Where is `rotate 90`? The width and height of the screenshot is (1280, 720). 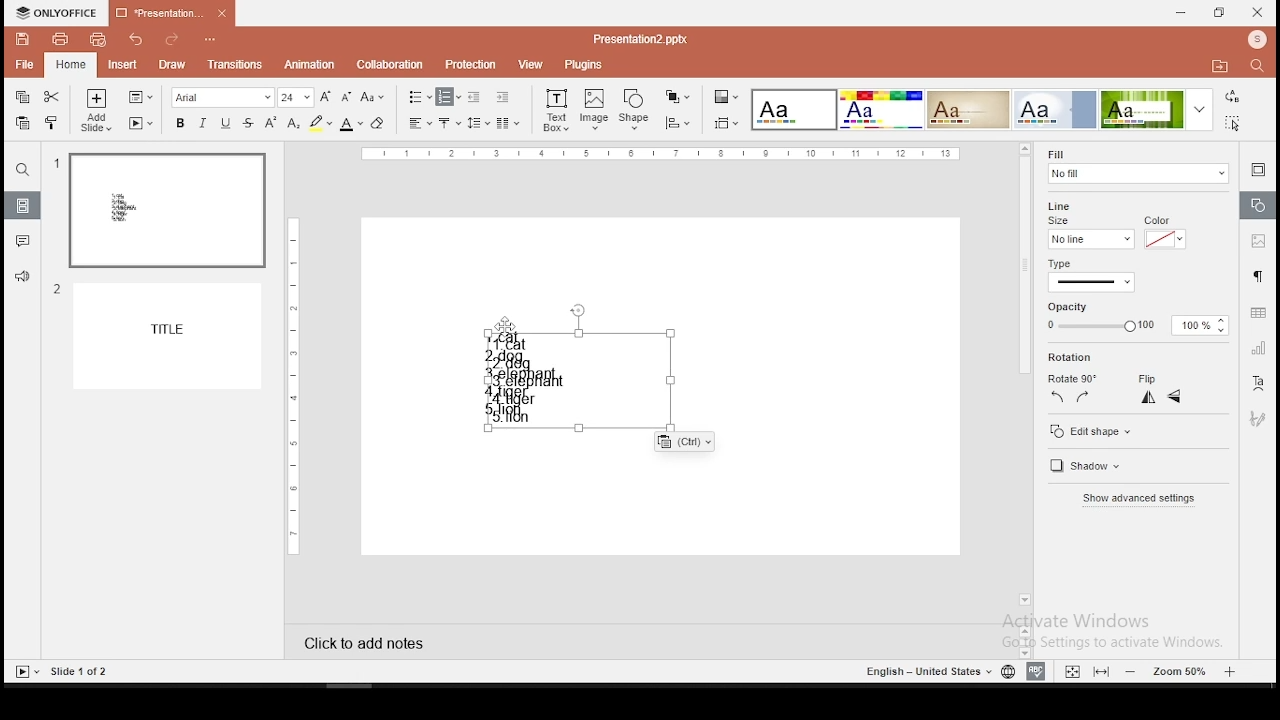
rotate 90 is located at coordinates (1074, 375).